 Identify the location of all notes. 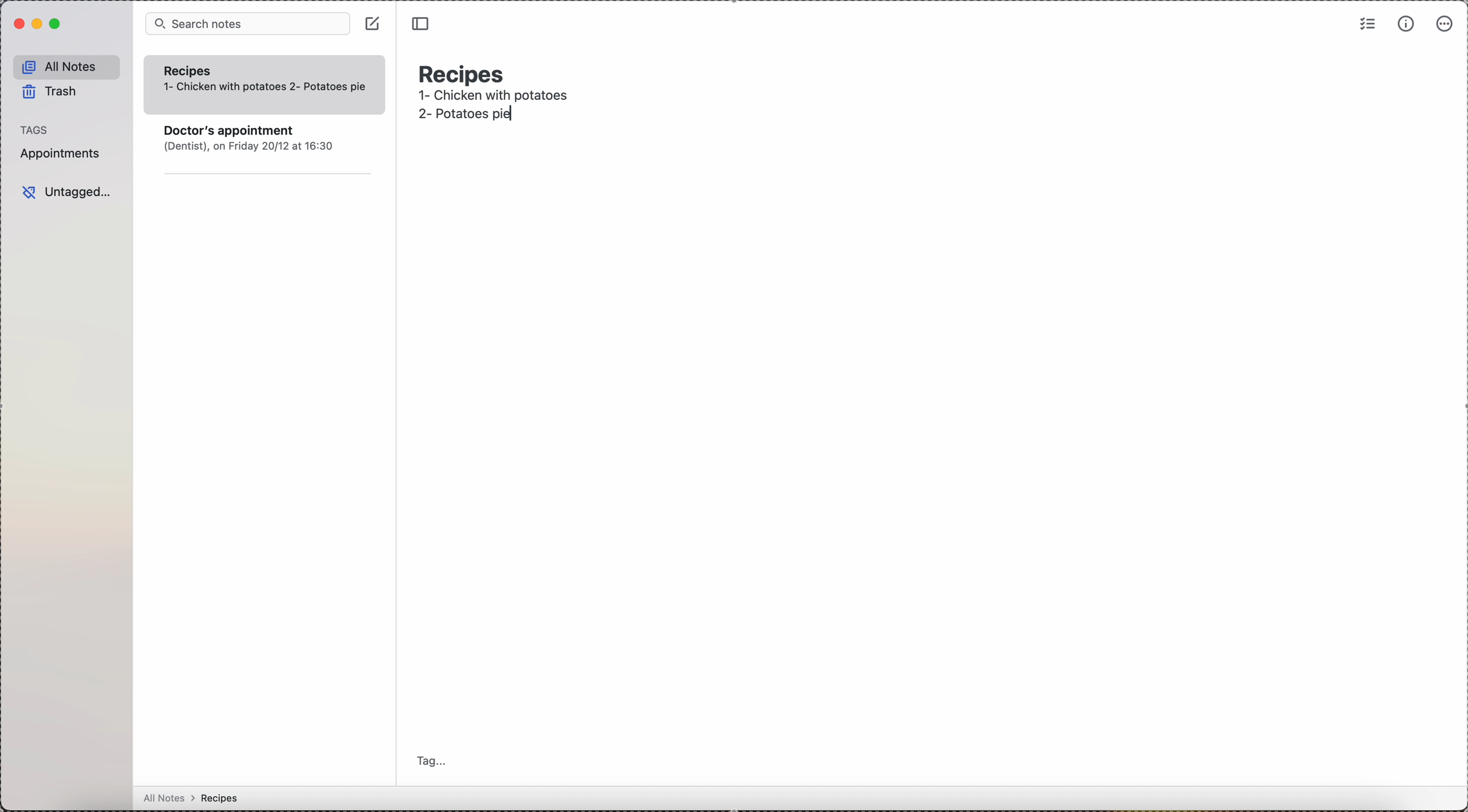
(229, 798).